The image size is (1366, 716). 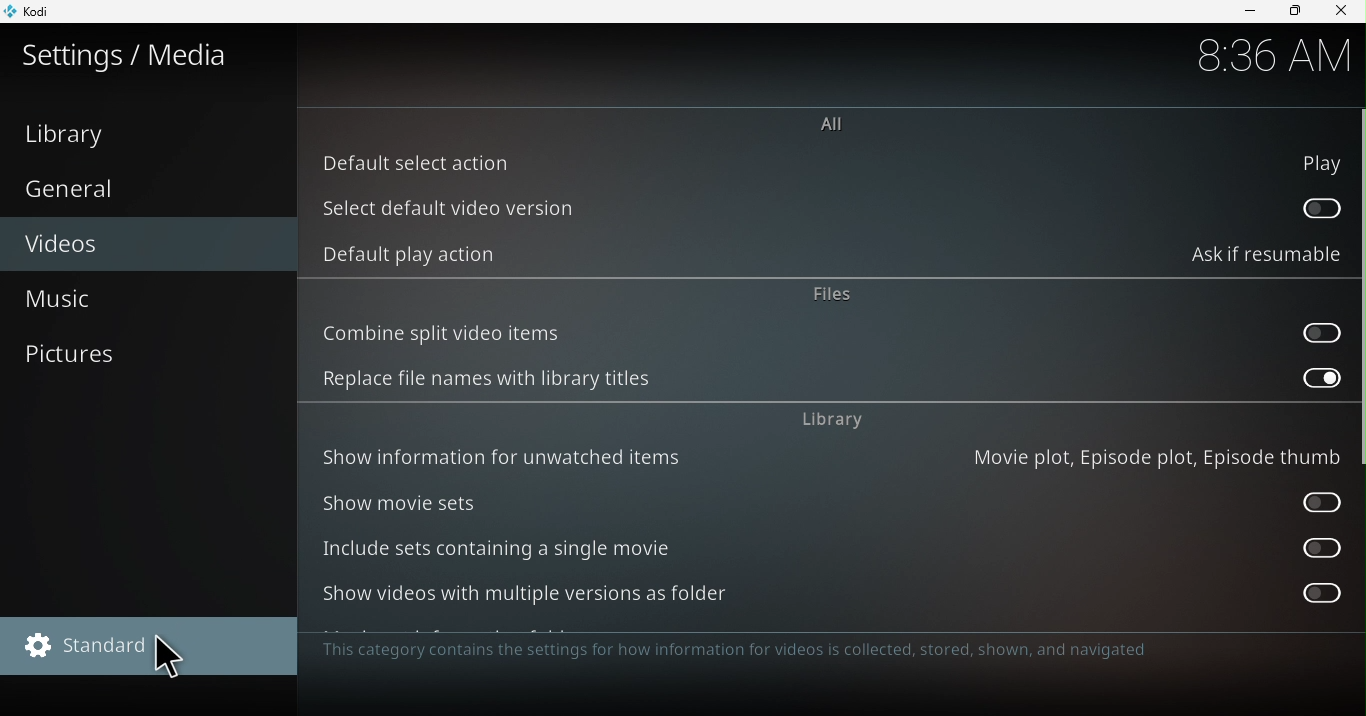 I want to click on Scroll bar, so click(x=1358, y=367).